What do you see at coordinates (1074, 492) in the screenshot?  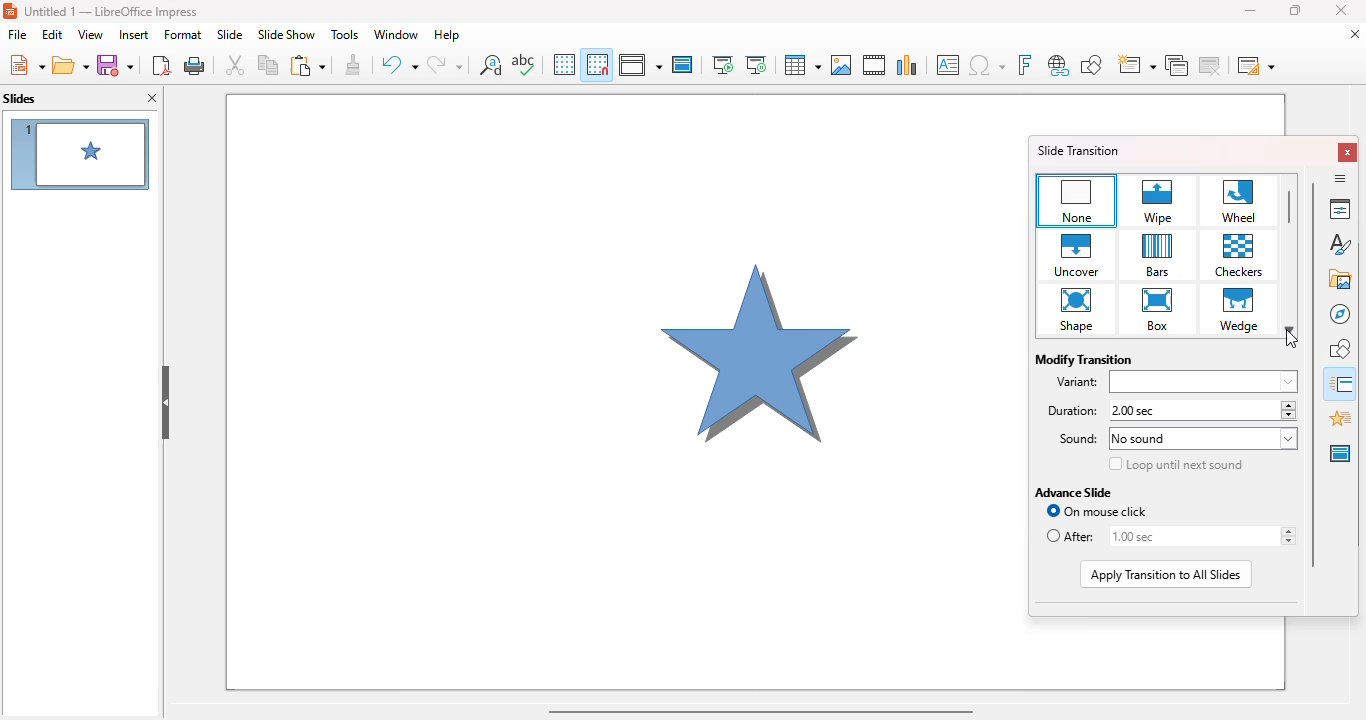 I see `advance slide` at bounding box center [1074, 492].